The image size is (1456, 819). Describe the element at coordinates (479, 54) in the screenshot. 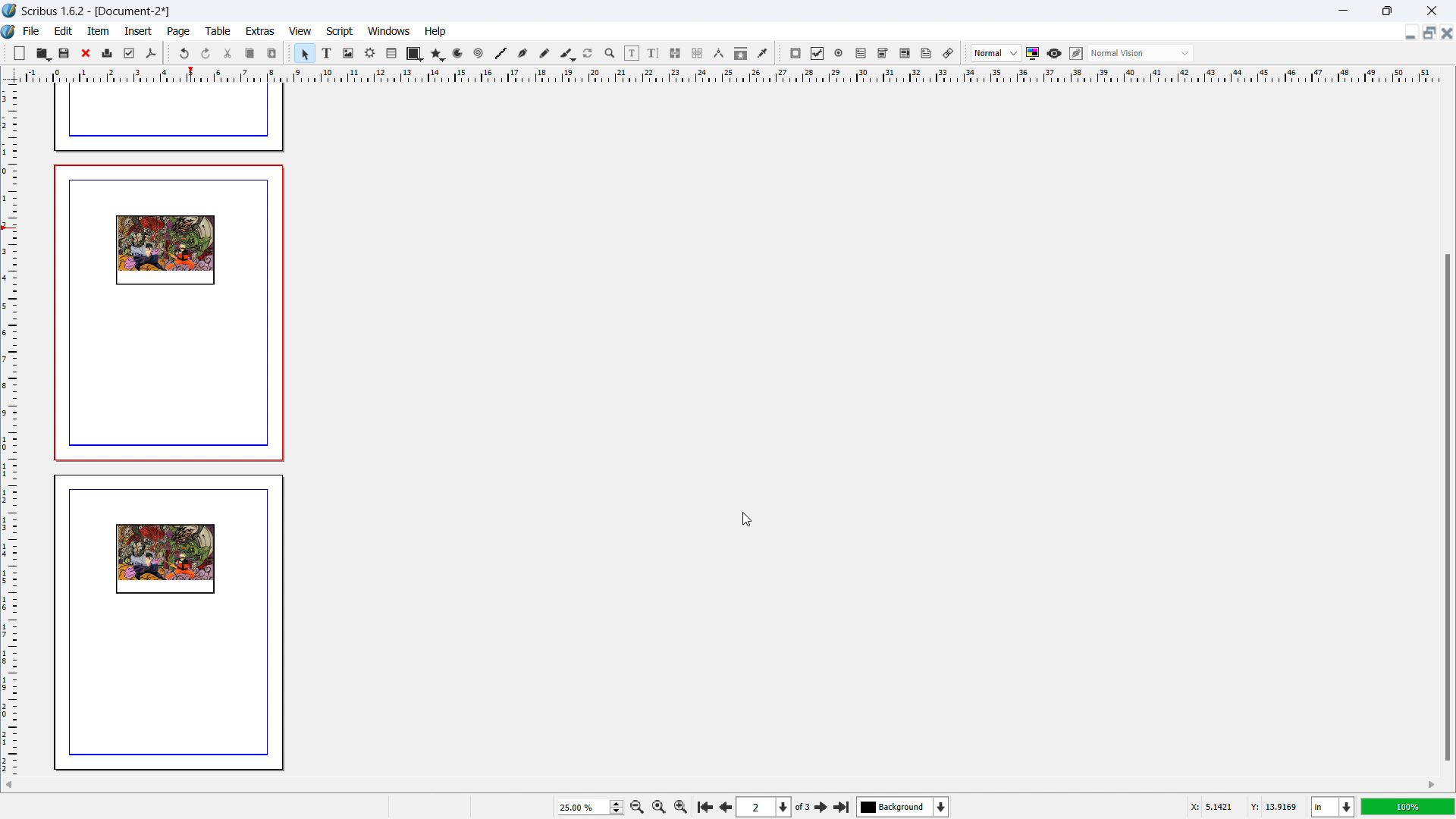

I see `spirals` at that location.